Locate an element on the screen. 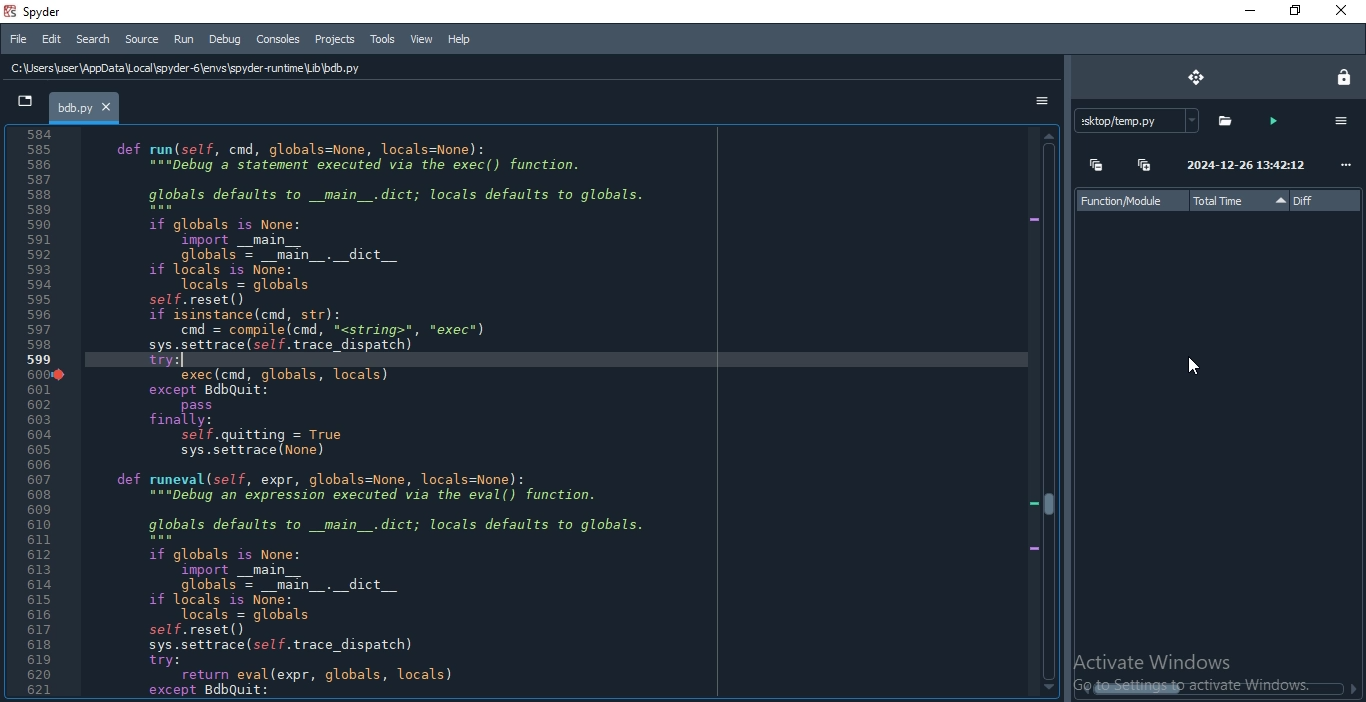  options is located at coordinates (1050, 102).